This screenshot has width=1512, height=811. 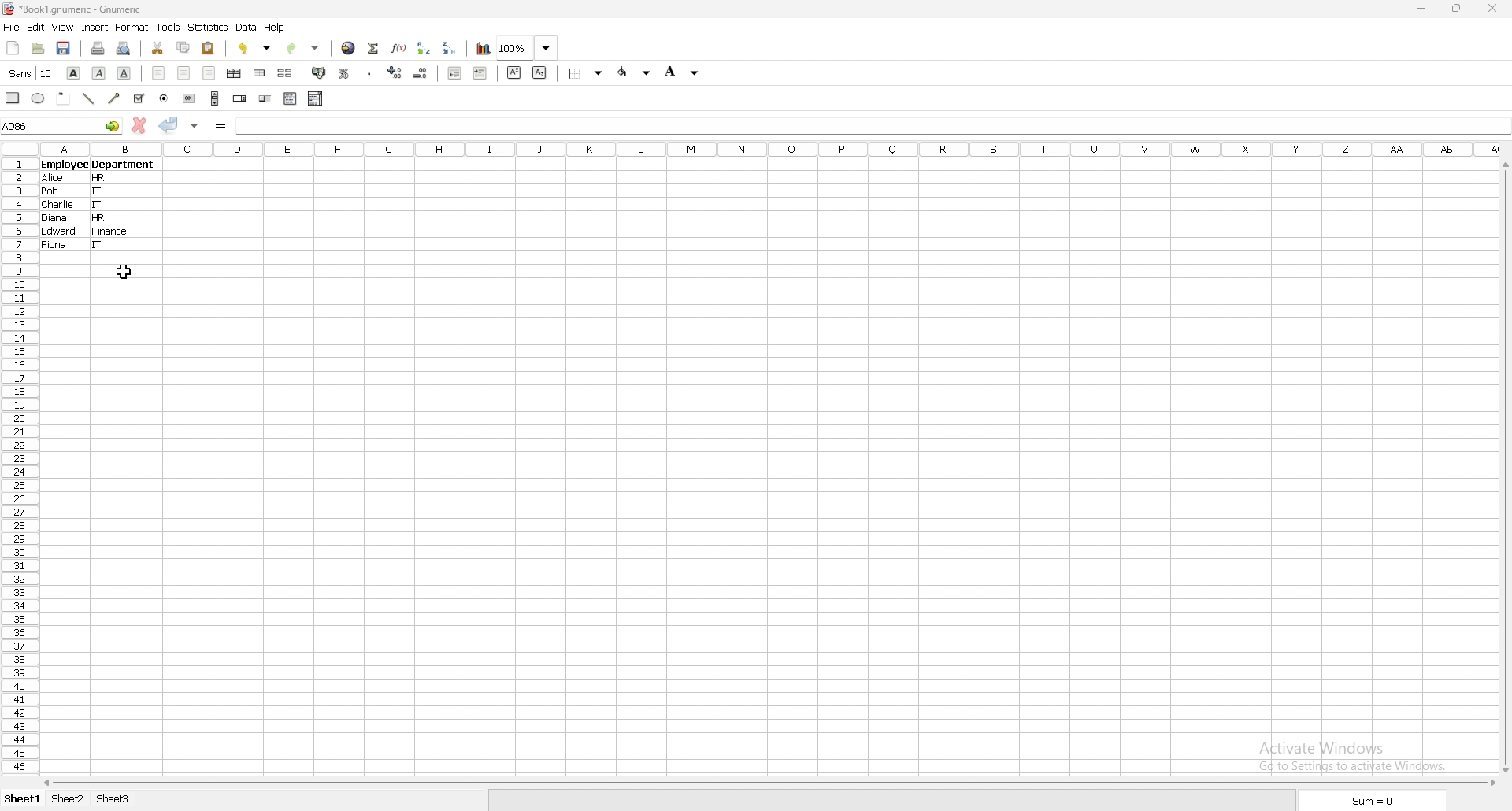 I want to click on close, so click(x=1494, y=8).